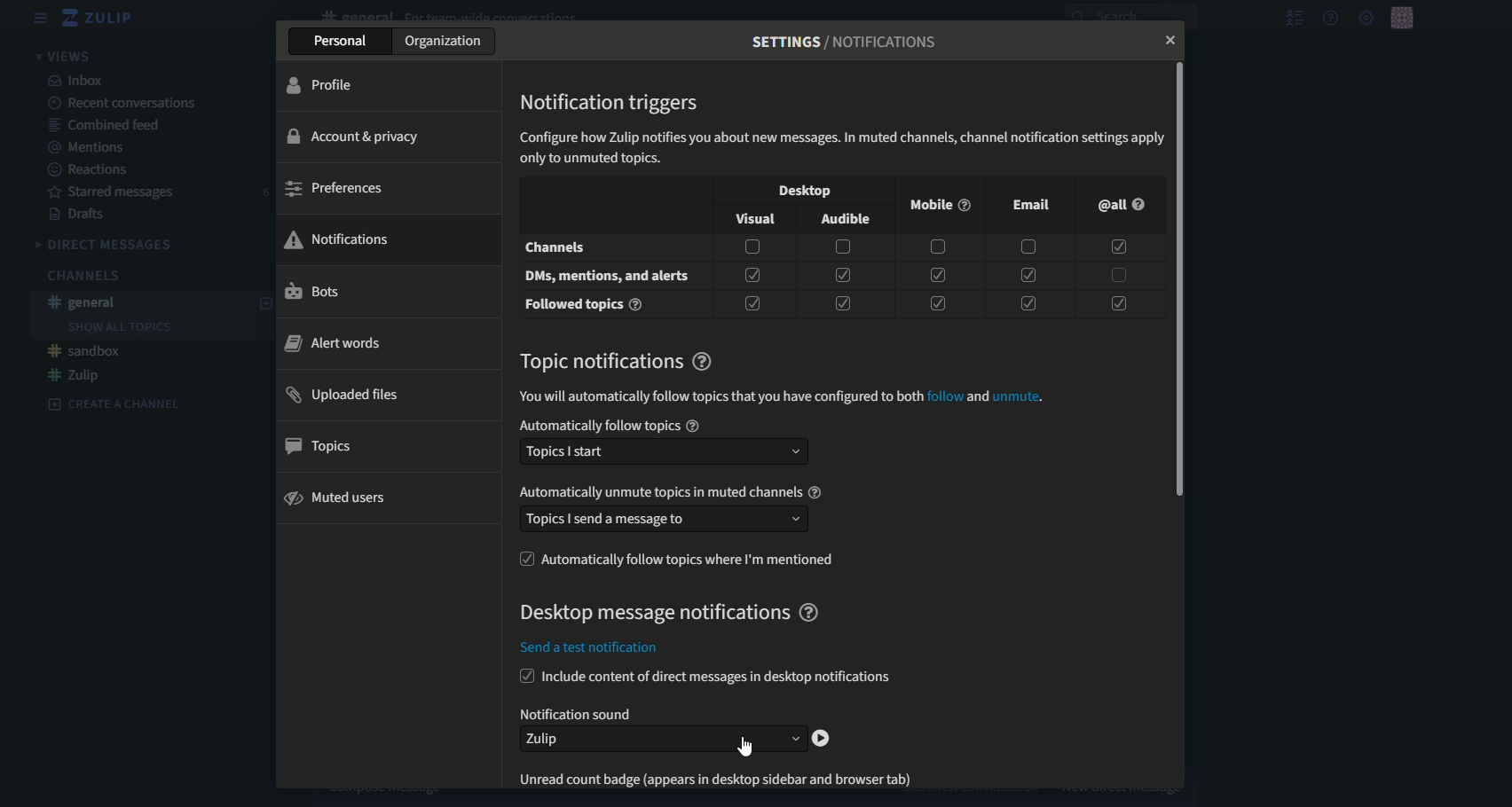  What do you see at coordinates (90, 170) in the screenshot?
I see `Reactions` at bounding box center [90, 170].